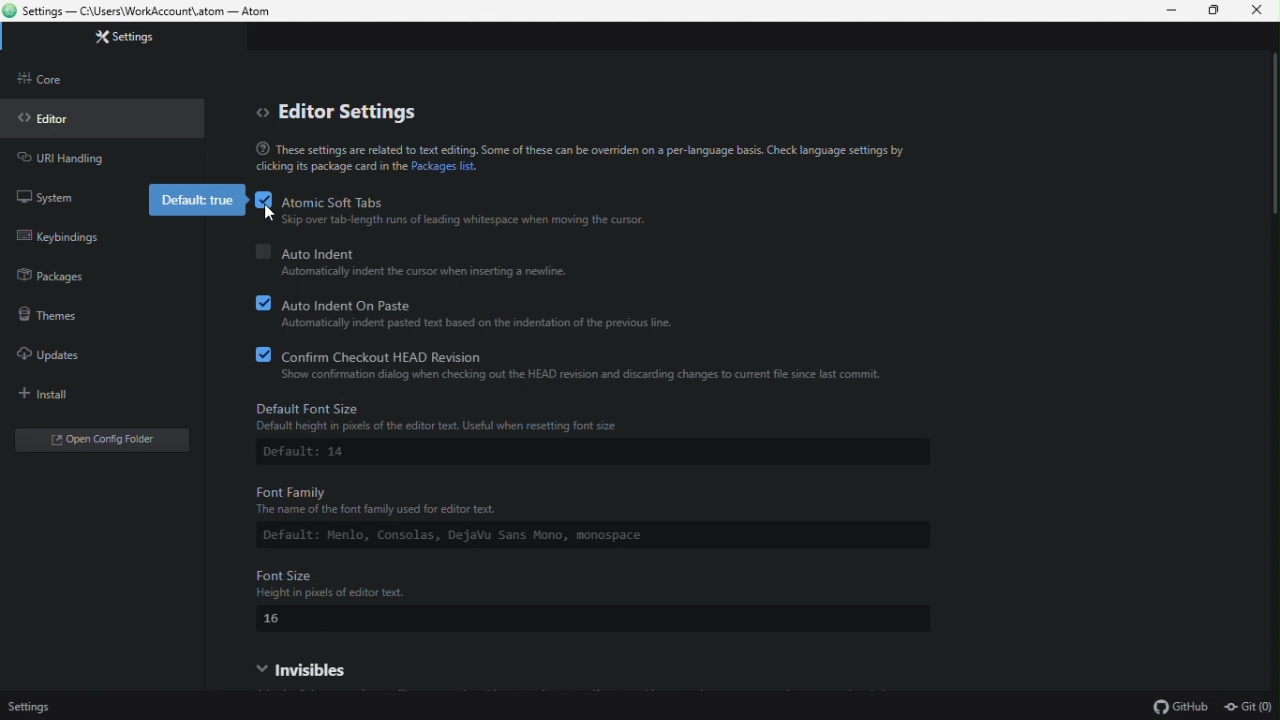 This screenshot has width=1280, height=720. I want to click on  Settings — C:\Users\WorkAccount\.atom — Atom, so click(153, 12).